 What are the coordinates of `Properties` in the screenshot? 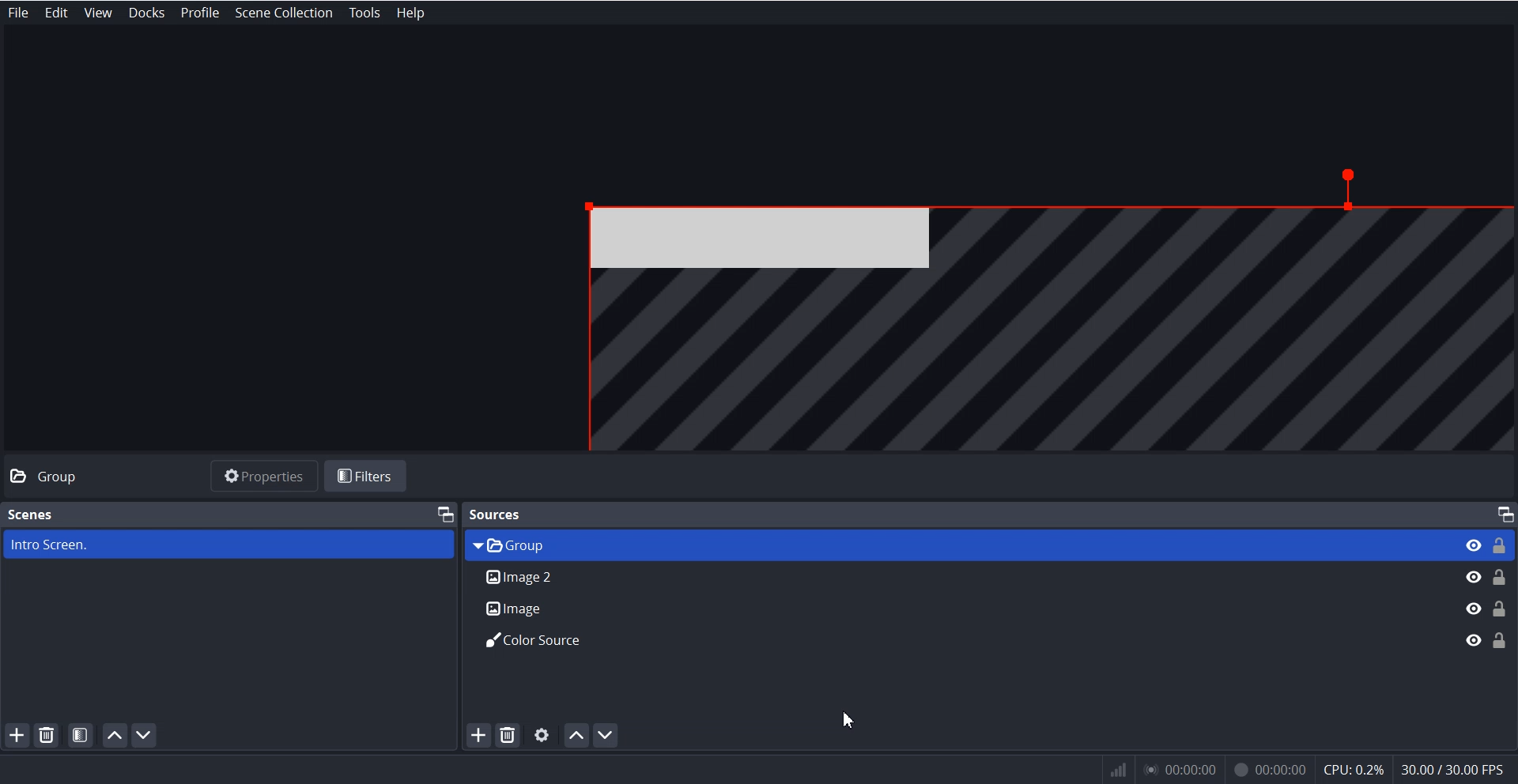 It's located at (263, 475).